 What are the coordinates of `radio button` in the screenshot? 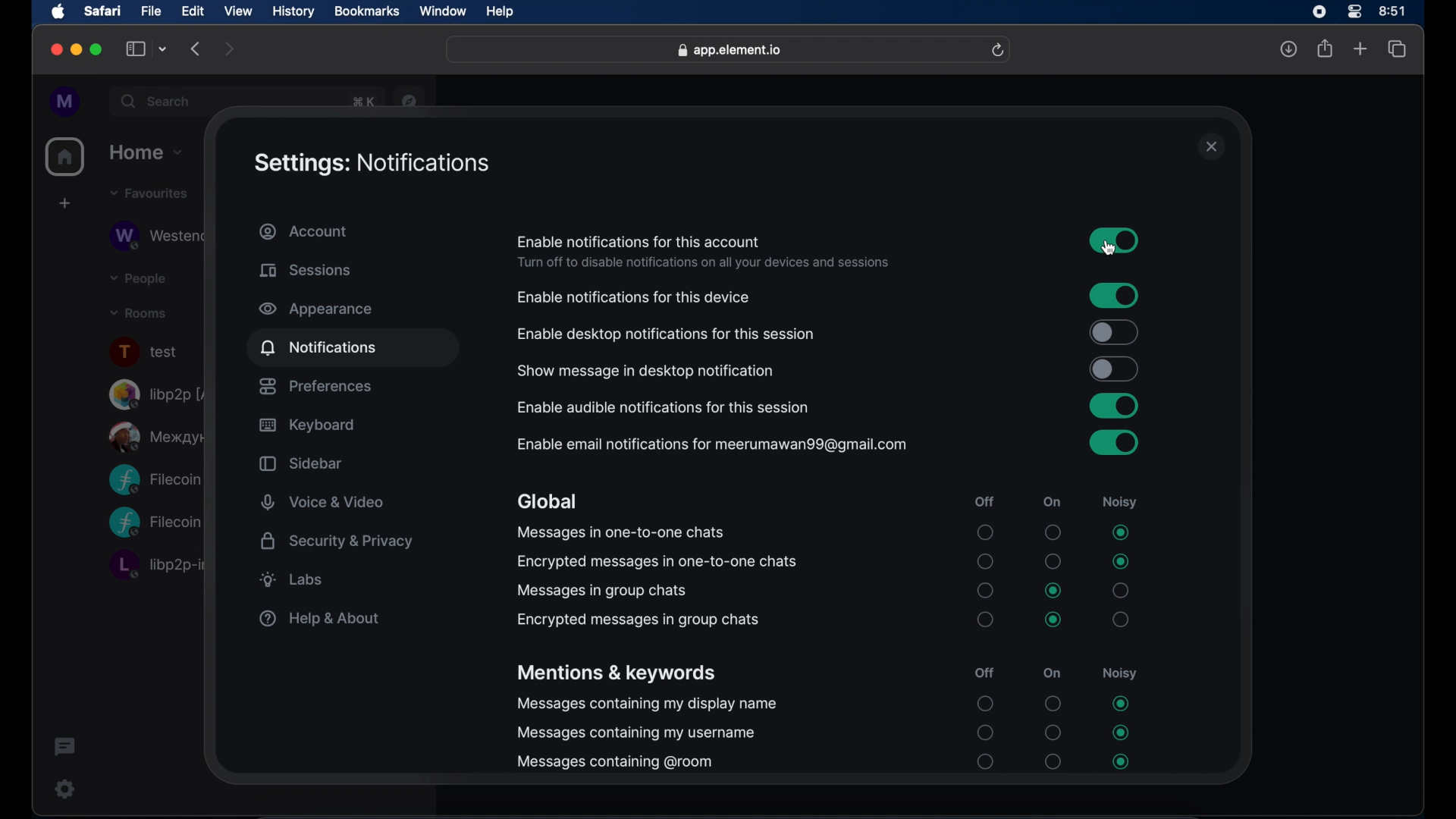 It's located at (984, 591).